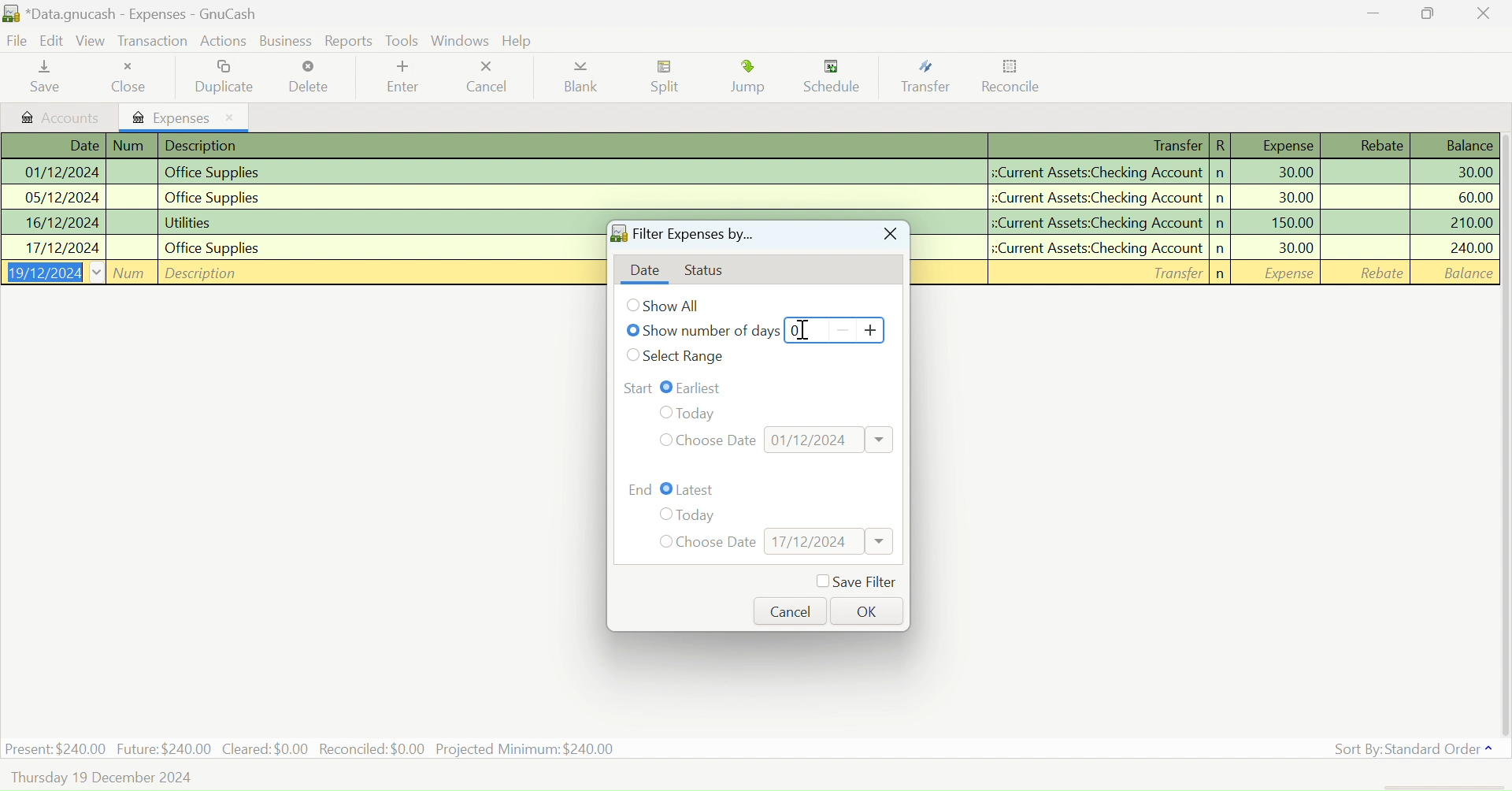  What do you see at coordinates (710, 272) in the screenshot?
I see `Status` at bounding box center [710, 272].